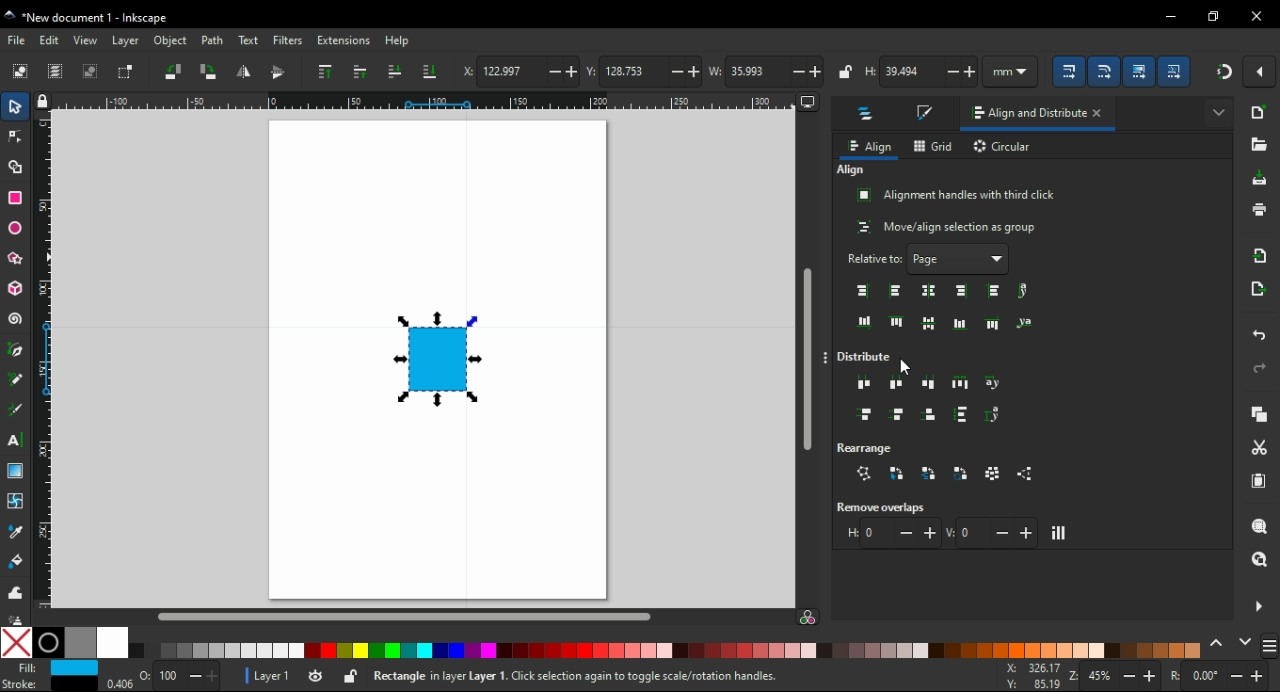  What do you see at coordinates (998, 415) in the screenshot?
I see `distribute text anchors vertically` at bounding box center [998, 415].